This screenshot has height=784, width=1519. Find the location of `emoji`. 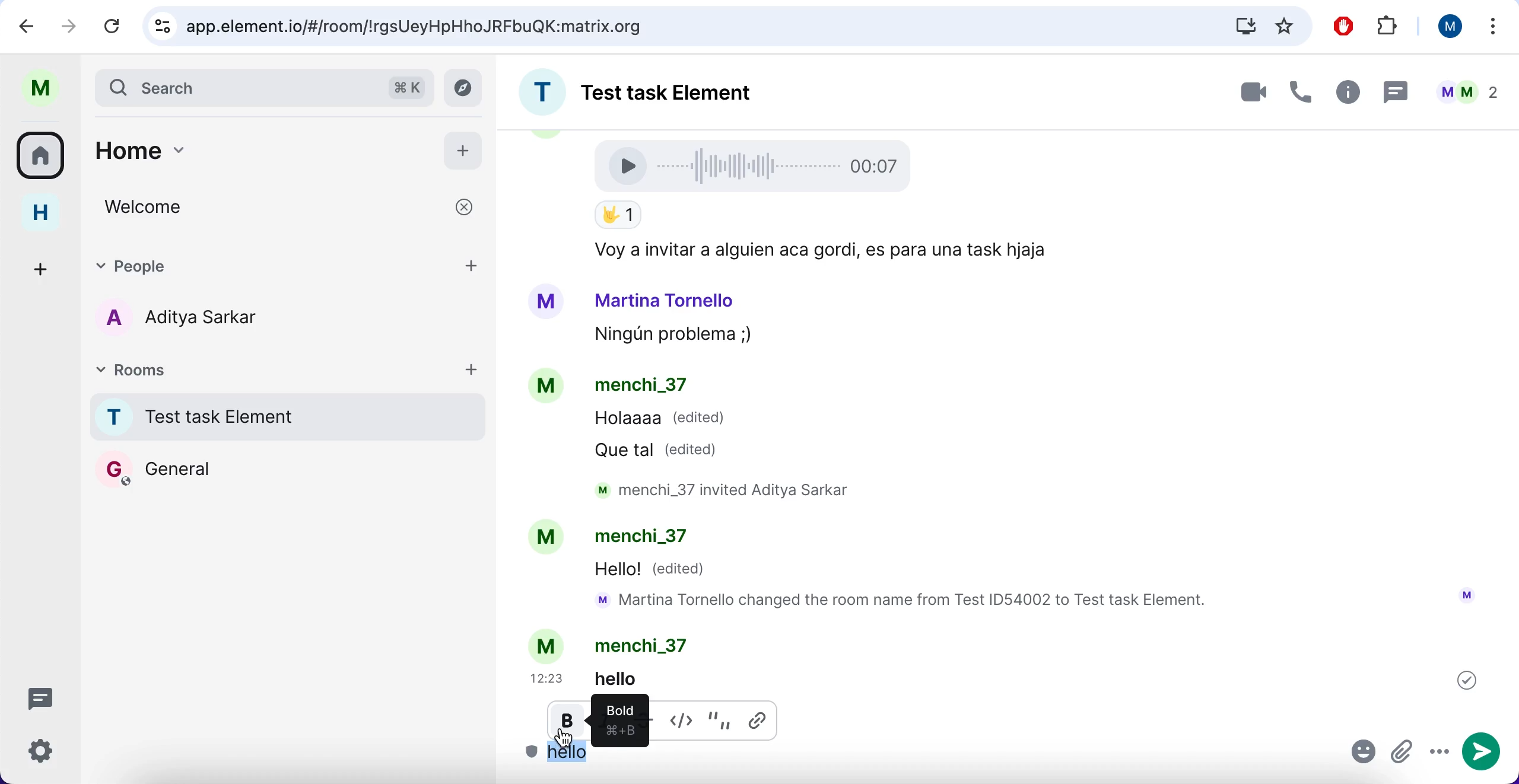

emoji is located at coordinates (1364, 754).